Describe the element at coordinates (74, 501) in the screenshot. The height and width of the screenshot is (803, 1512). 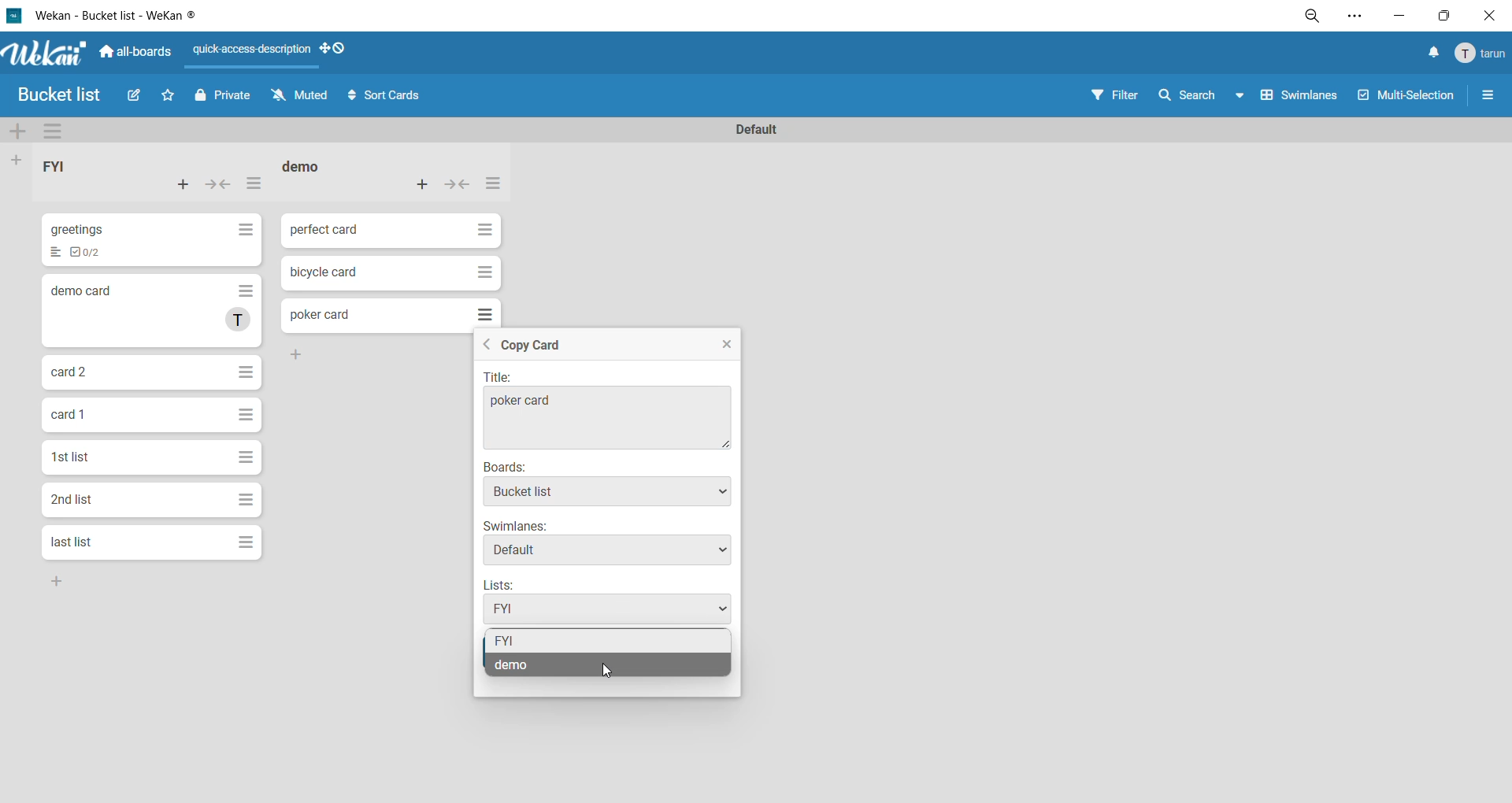
I see `2nd list` at that location.